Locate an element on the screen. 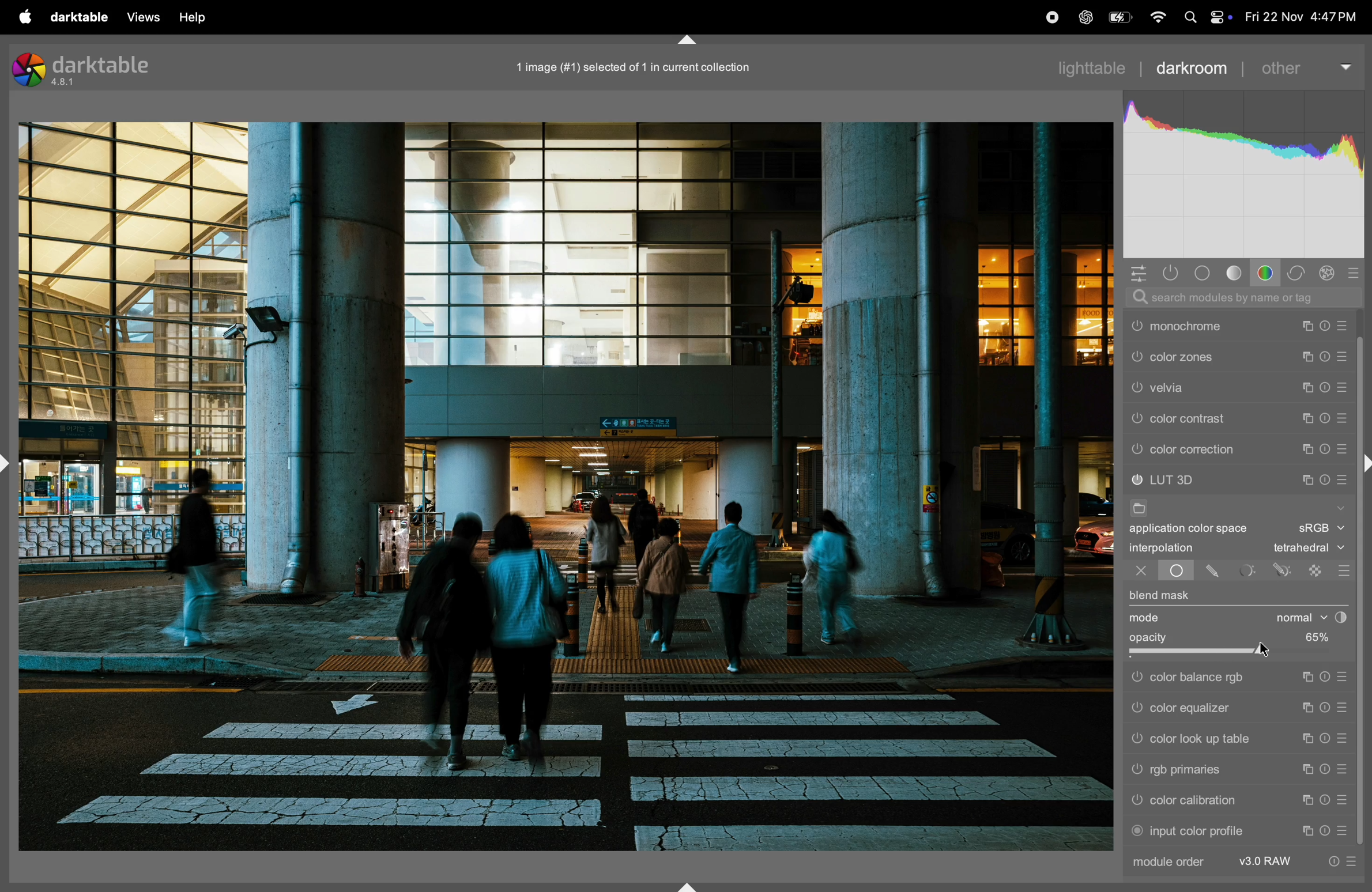 The height and width of the screenshot is (892, 1372). color correction switched off is located at coordinates (1137, 449).